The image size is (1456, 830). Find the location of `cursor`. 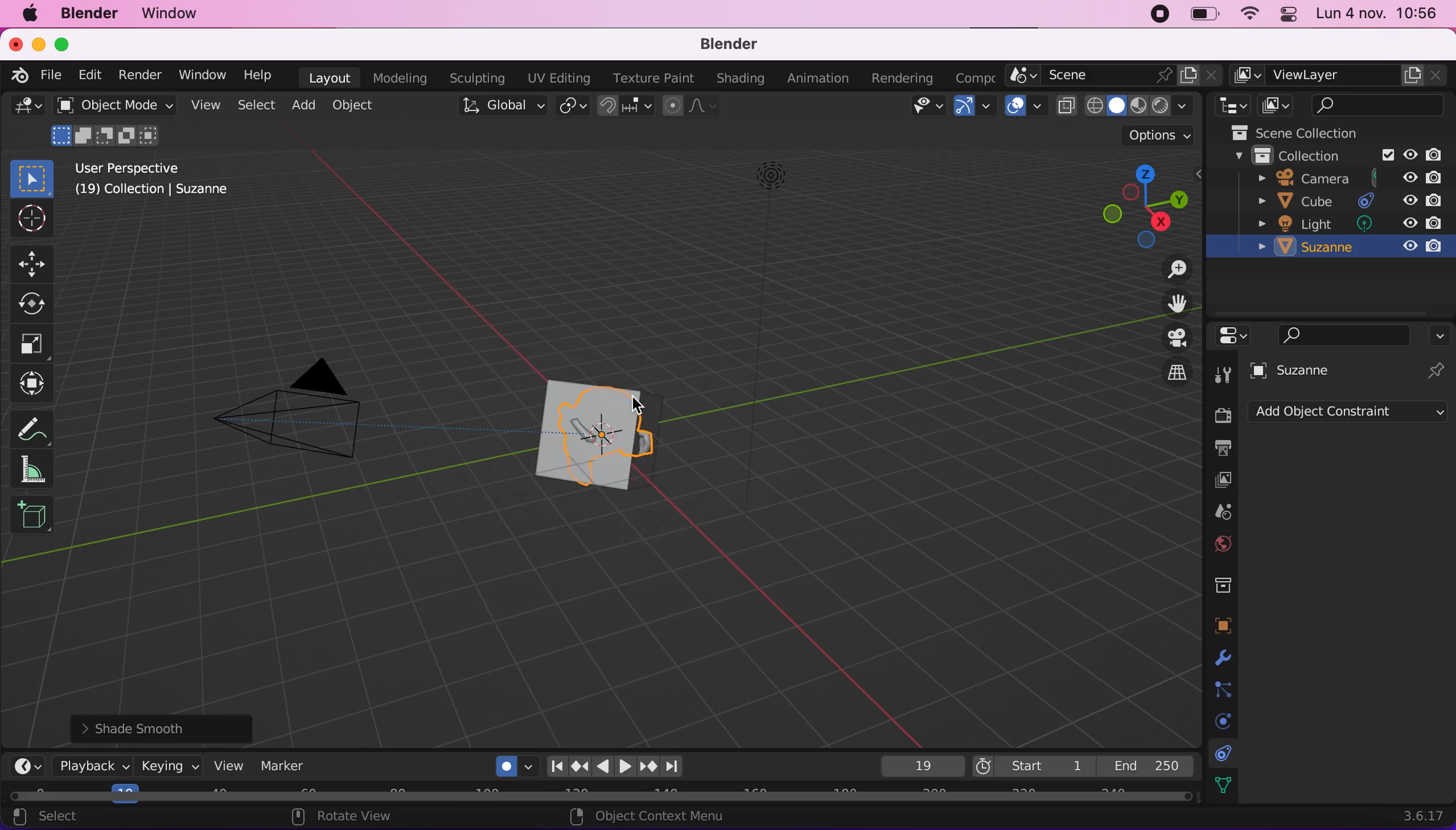

cursor is located at coordinates (645, 408).